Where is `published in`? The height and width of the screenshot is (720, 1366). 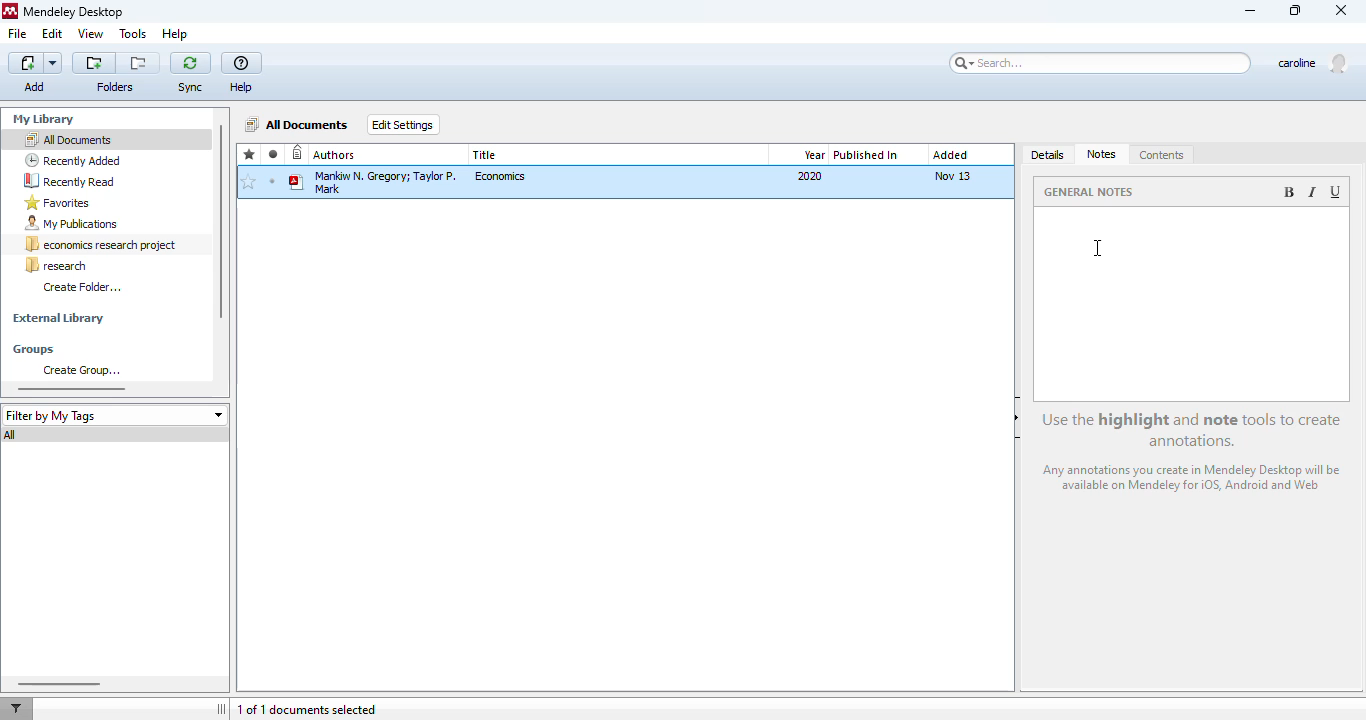 published in is located at coordinates (866, 155).